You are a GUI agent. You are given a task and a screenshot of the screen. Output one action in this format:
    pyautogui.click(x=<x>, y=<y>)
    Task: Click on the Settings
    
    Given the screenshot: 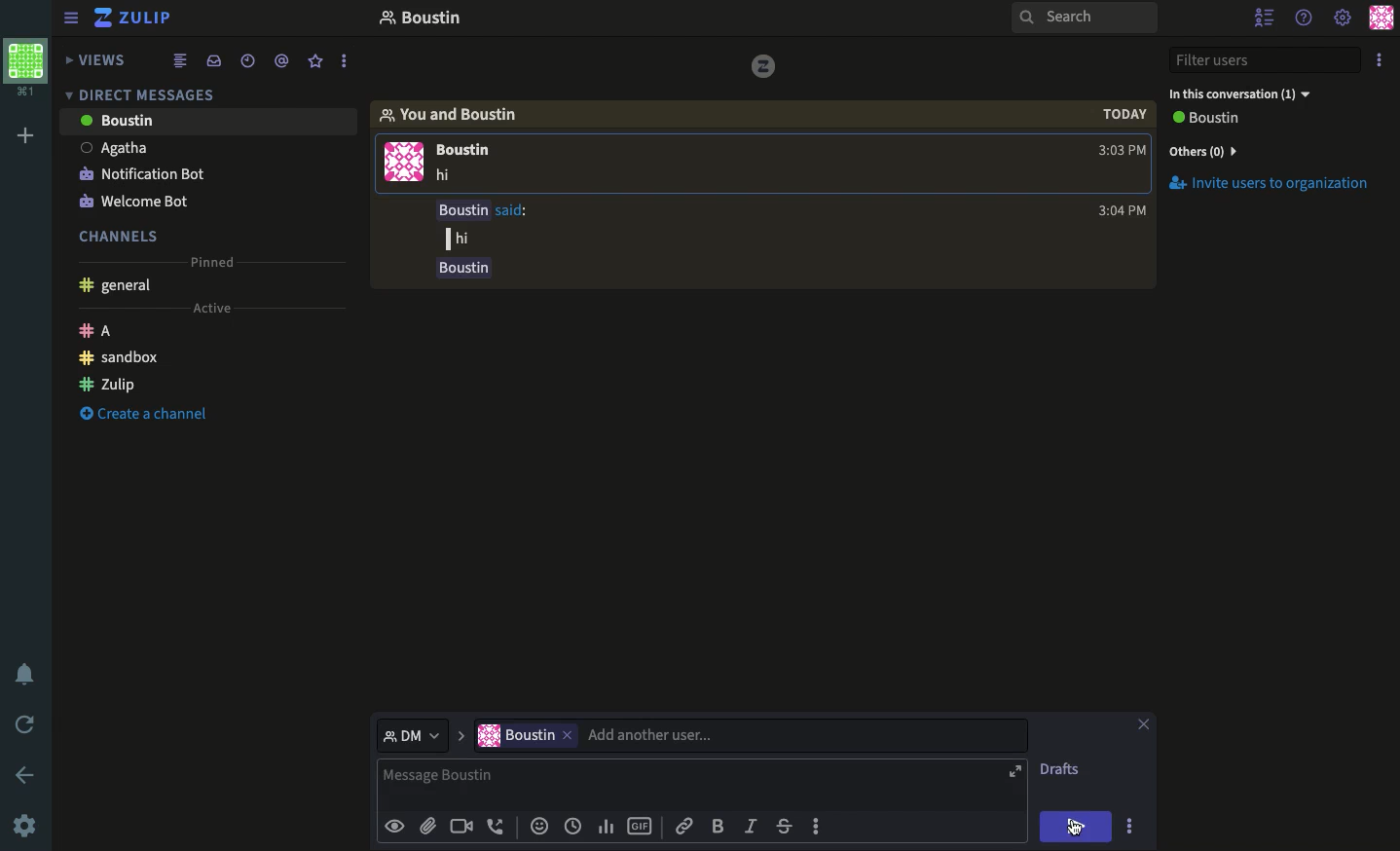 What is the action you would take?
    pyautogui.click(x=1342, y=18)
    